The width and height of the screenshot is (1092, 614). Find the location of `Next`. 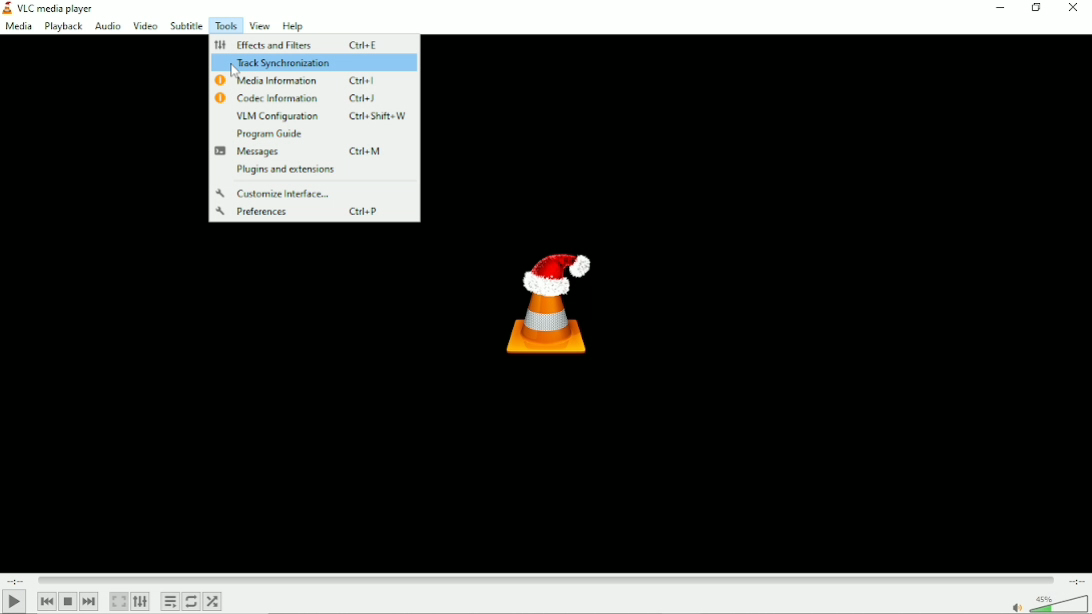

Next is located at coordinates (89, 601).